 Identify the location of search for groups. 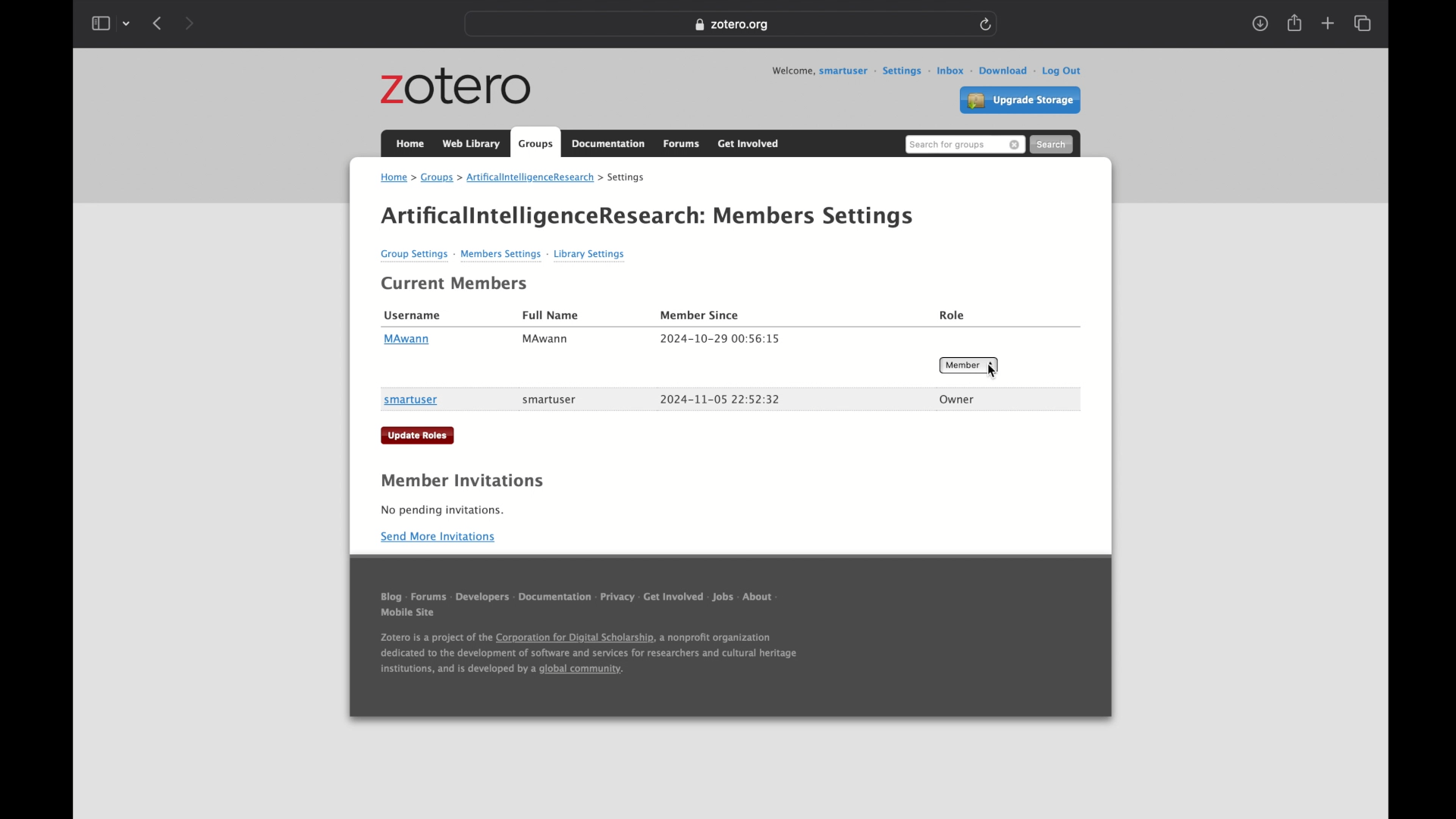
(947, 146).